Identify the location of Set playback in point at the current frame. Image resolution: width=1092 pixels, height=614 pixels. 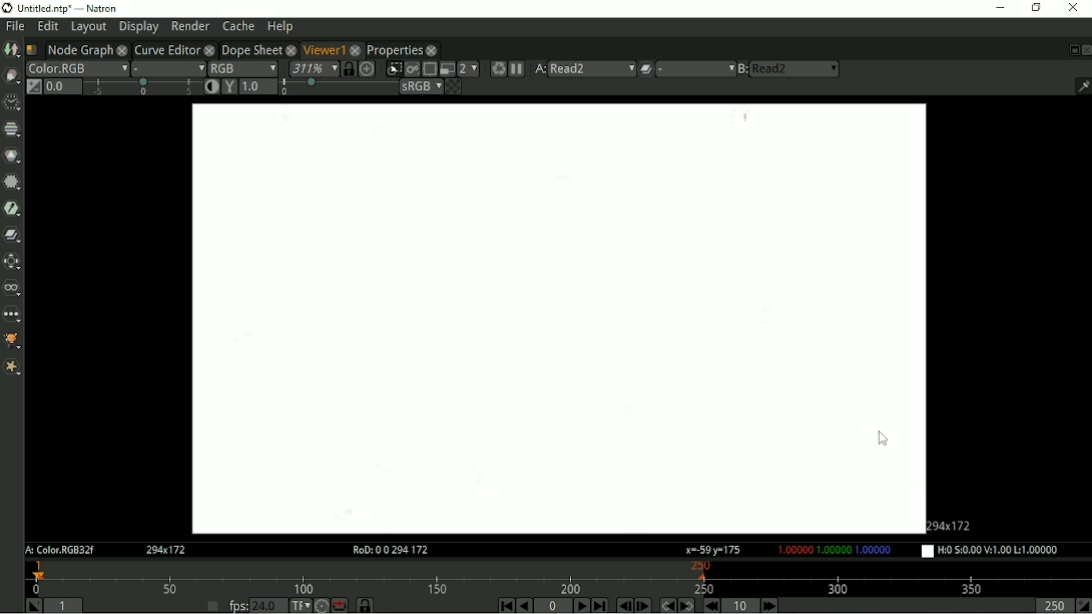
(31, 605).